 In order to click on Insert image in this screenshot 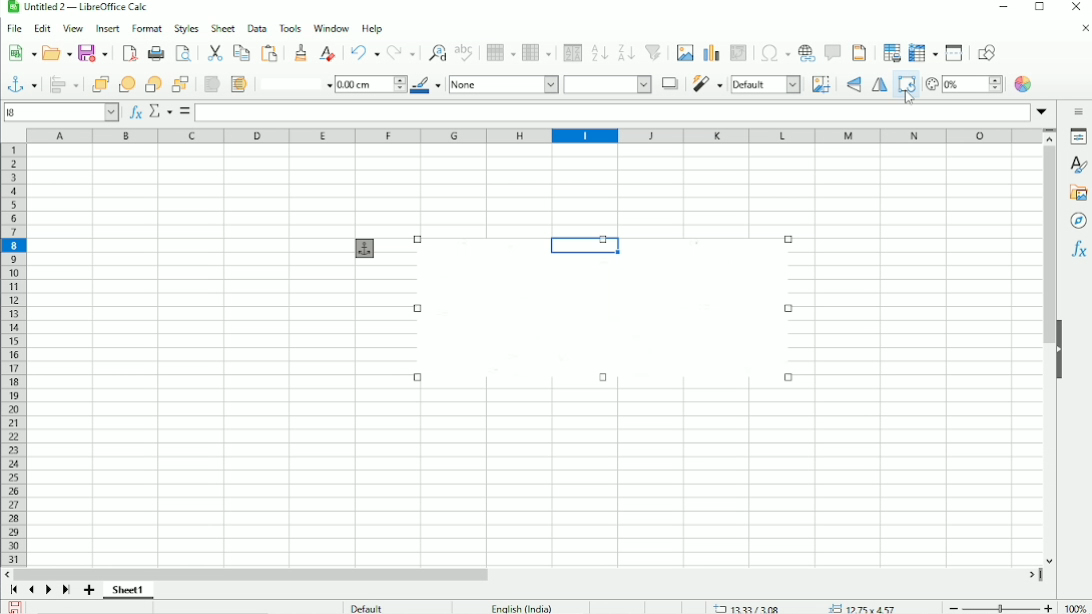, I will do `click(684, 53)`.